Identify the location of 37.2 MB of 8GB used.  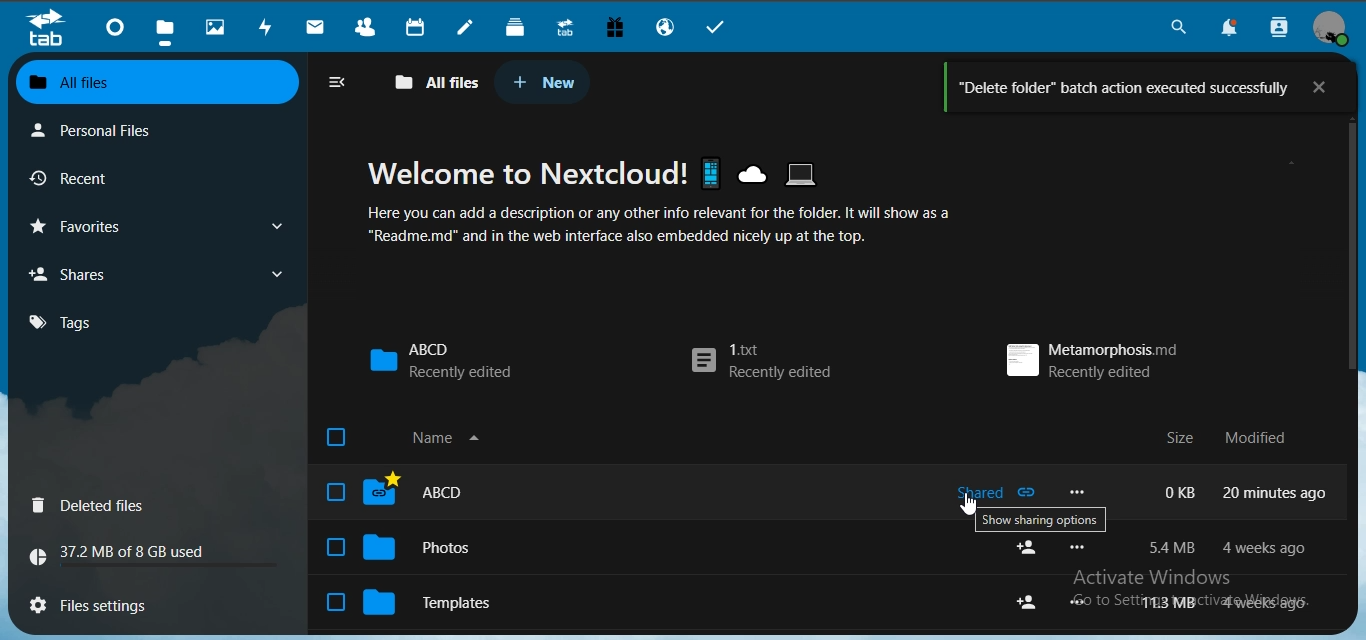
(158, 558).